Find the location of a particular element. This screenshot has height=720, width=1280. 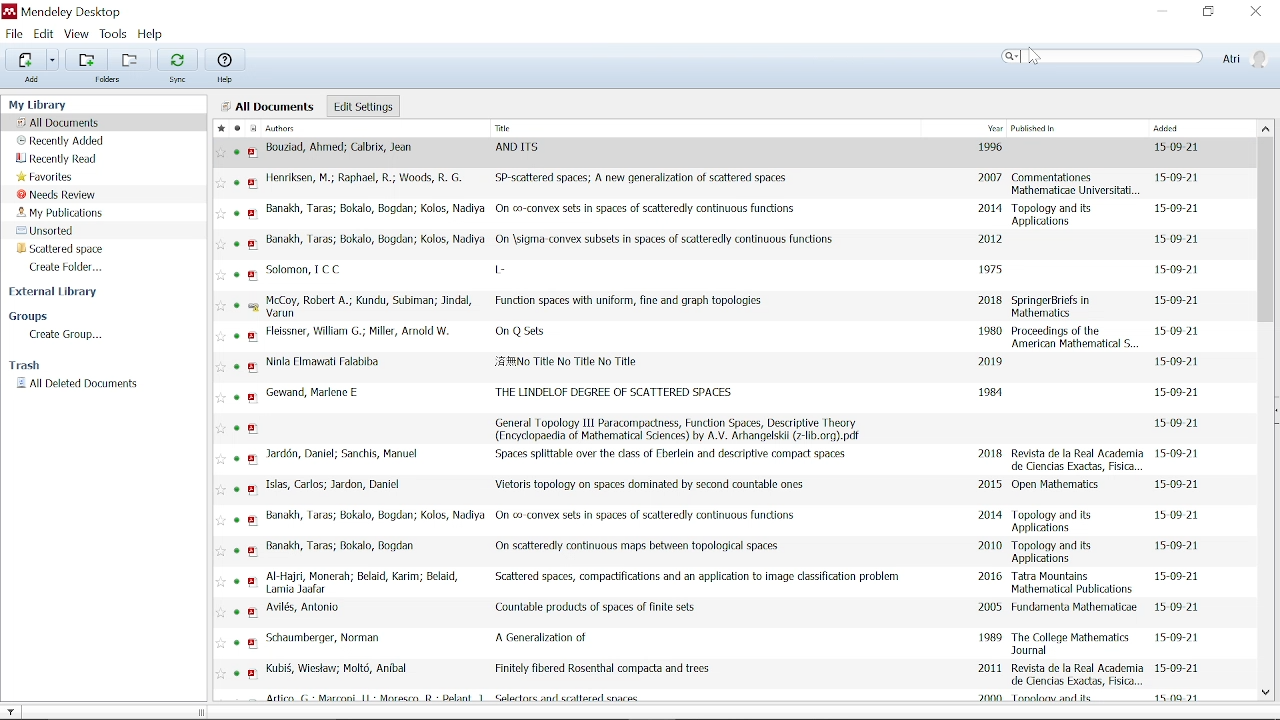

Marked as favorite is located at coordinates (218, 128).